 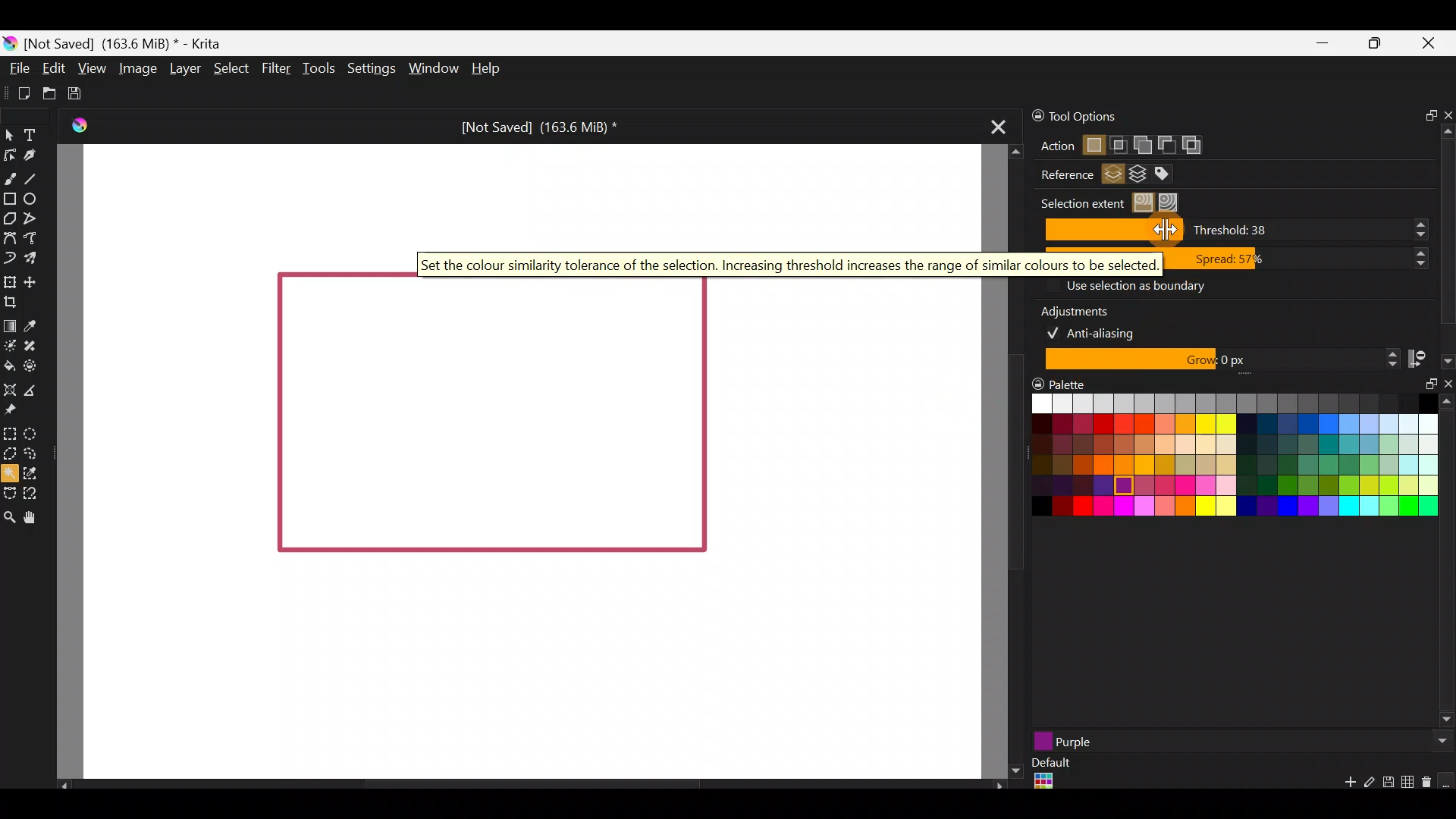 What do you see at coordinates (49, 91) in the screenshot?
I see `Open an existing document` at bounding box center [49, 91].